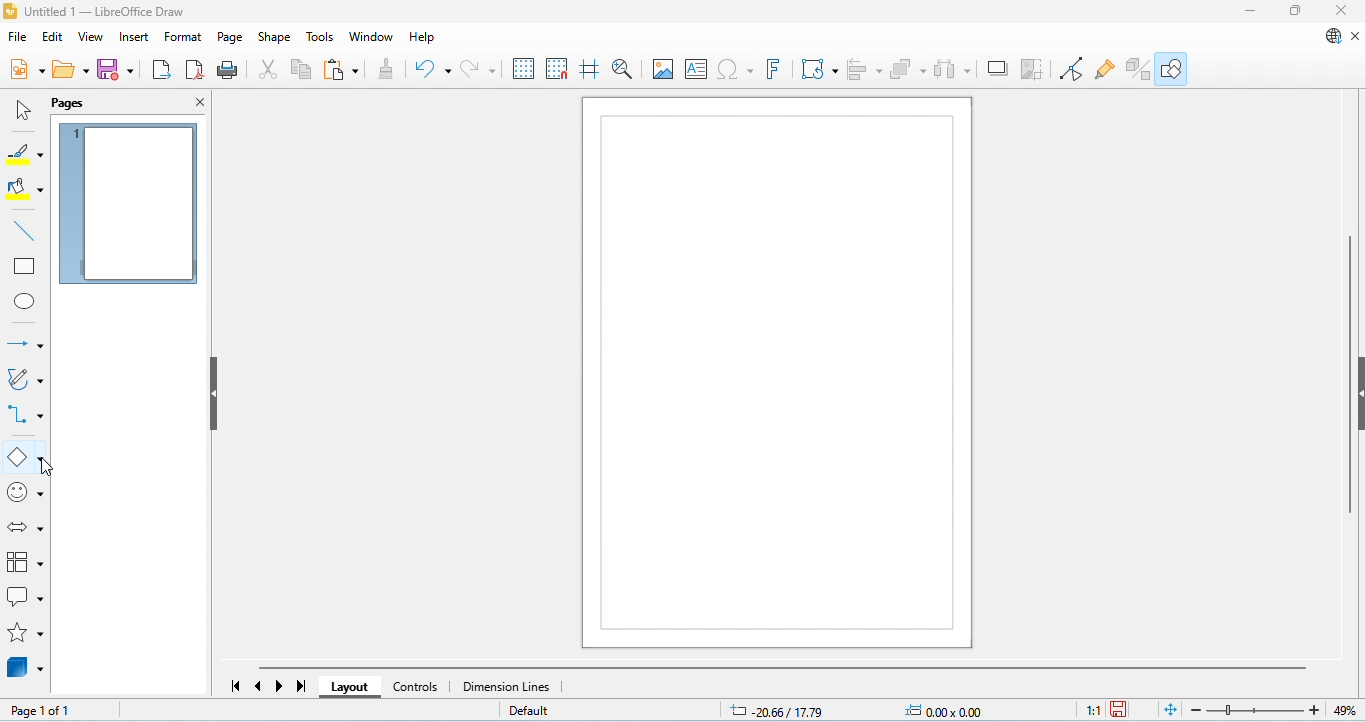  What do you see at coordinates (1342, 11) in the screenshot?
I see `close` at bounding box center [1342, 11].